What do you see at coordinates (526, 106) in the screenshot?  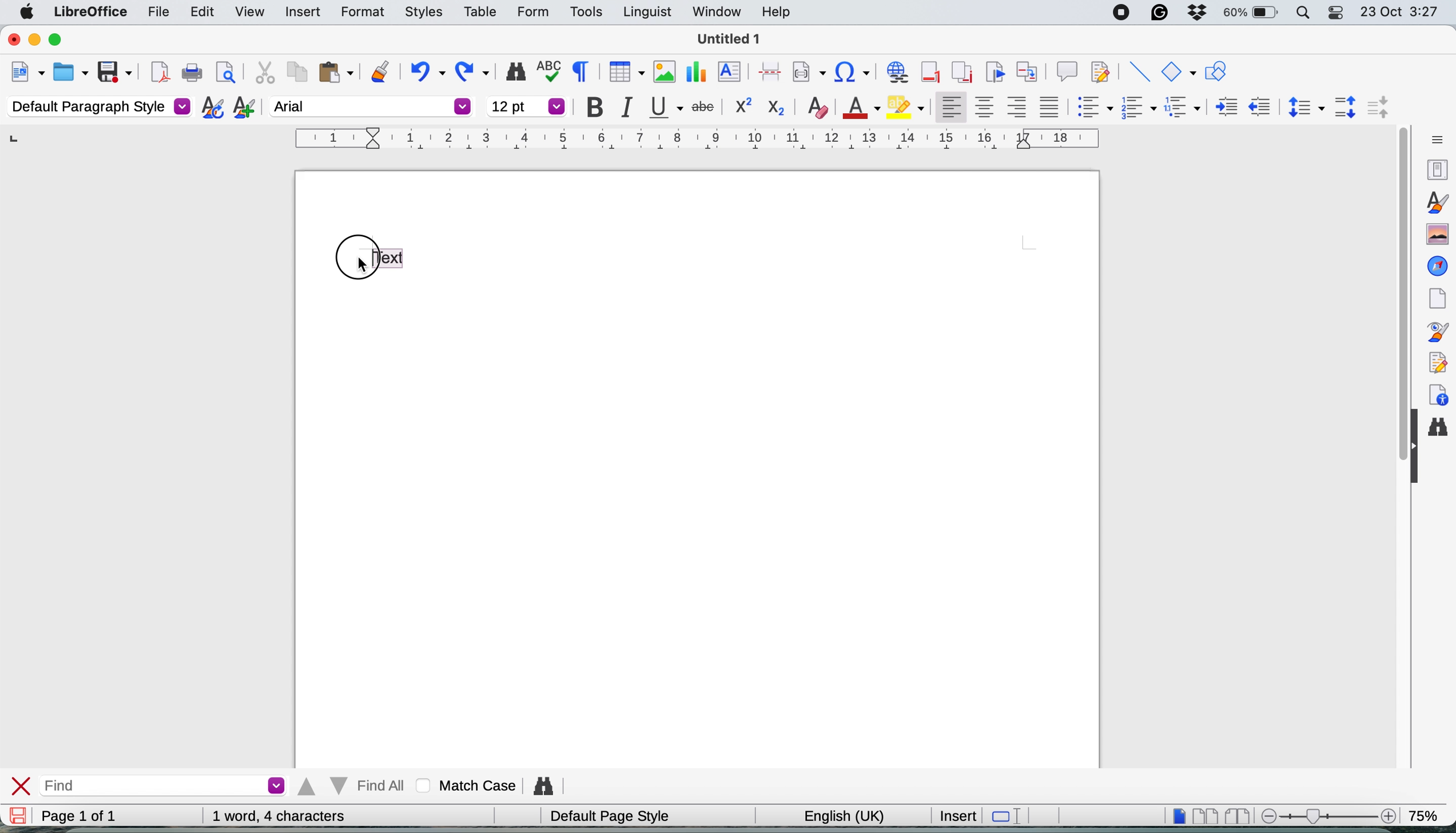 I see `font size` at bounding box center [526, 106].